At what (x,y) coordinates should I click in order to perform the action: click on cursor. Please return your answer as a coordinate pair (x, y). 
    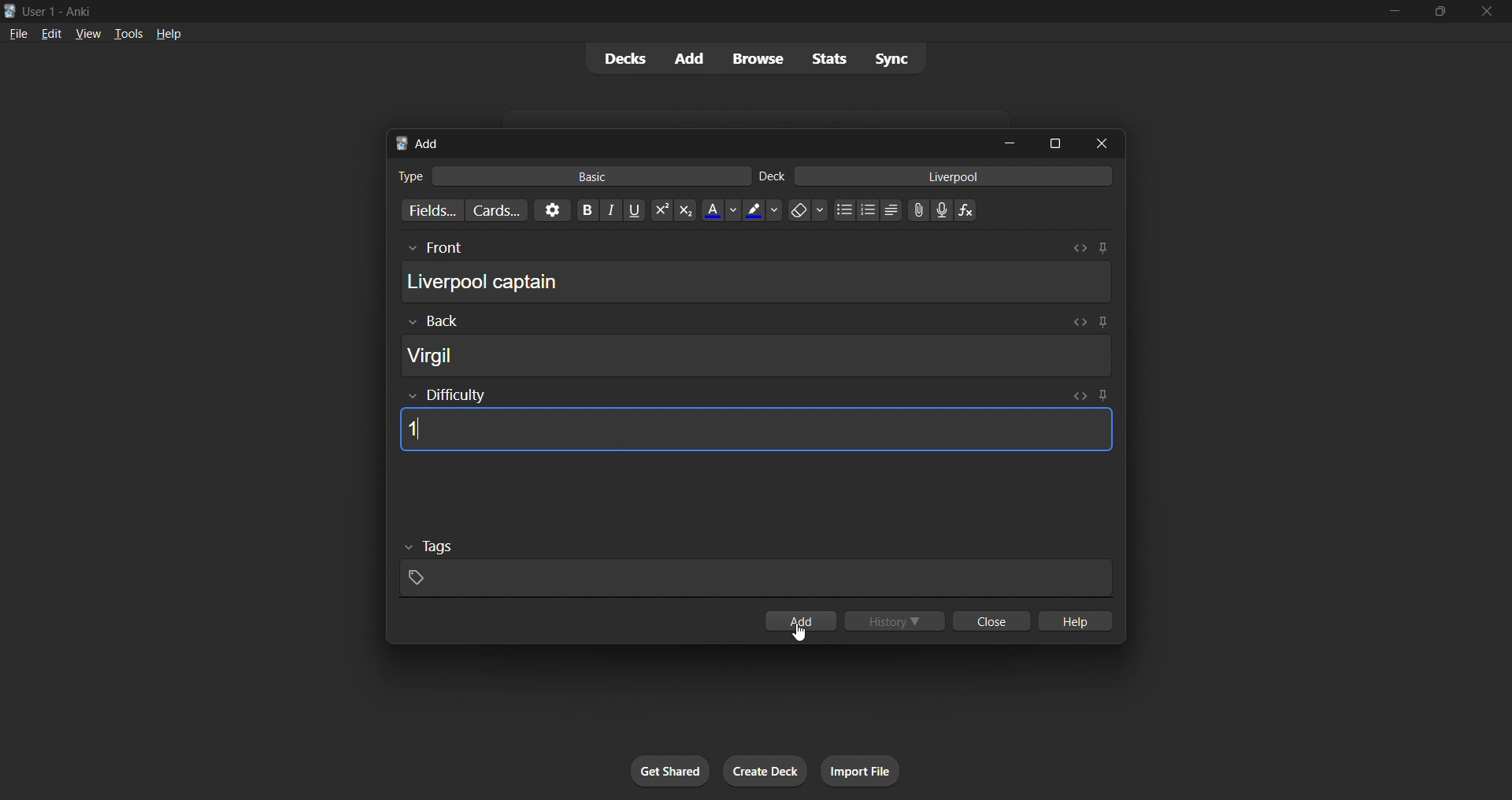
    Looking at the image, I should click on (799, 631).